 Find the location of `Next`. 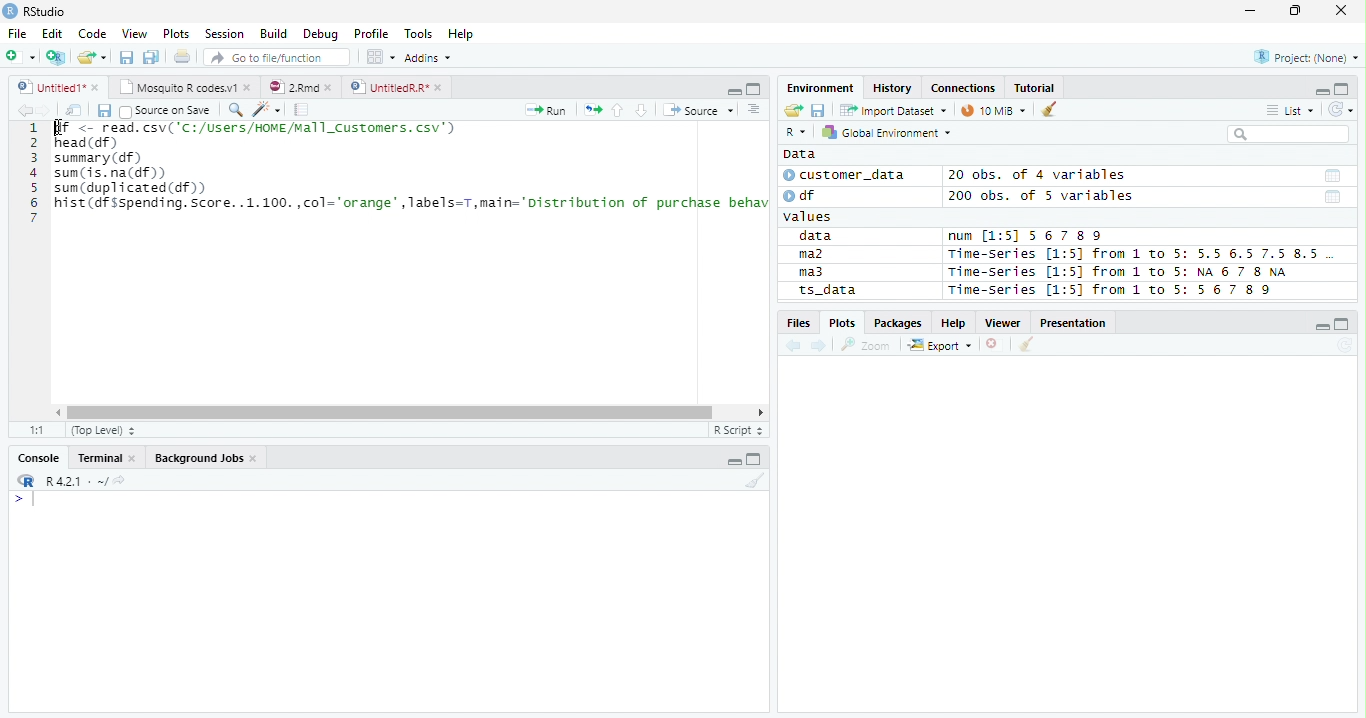

Next is located at coordinates (45, 111).